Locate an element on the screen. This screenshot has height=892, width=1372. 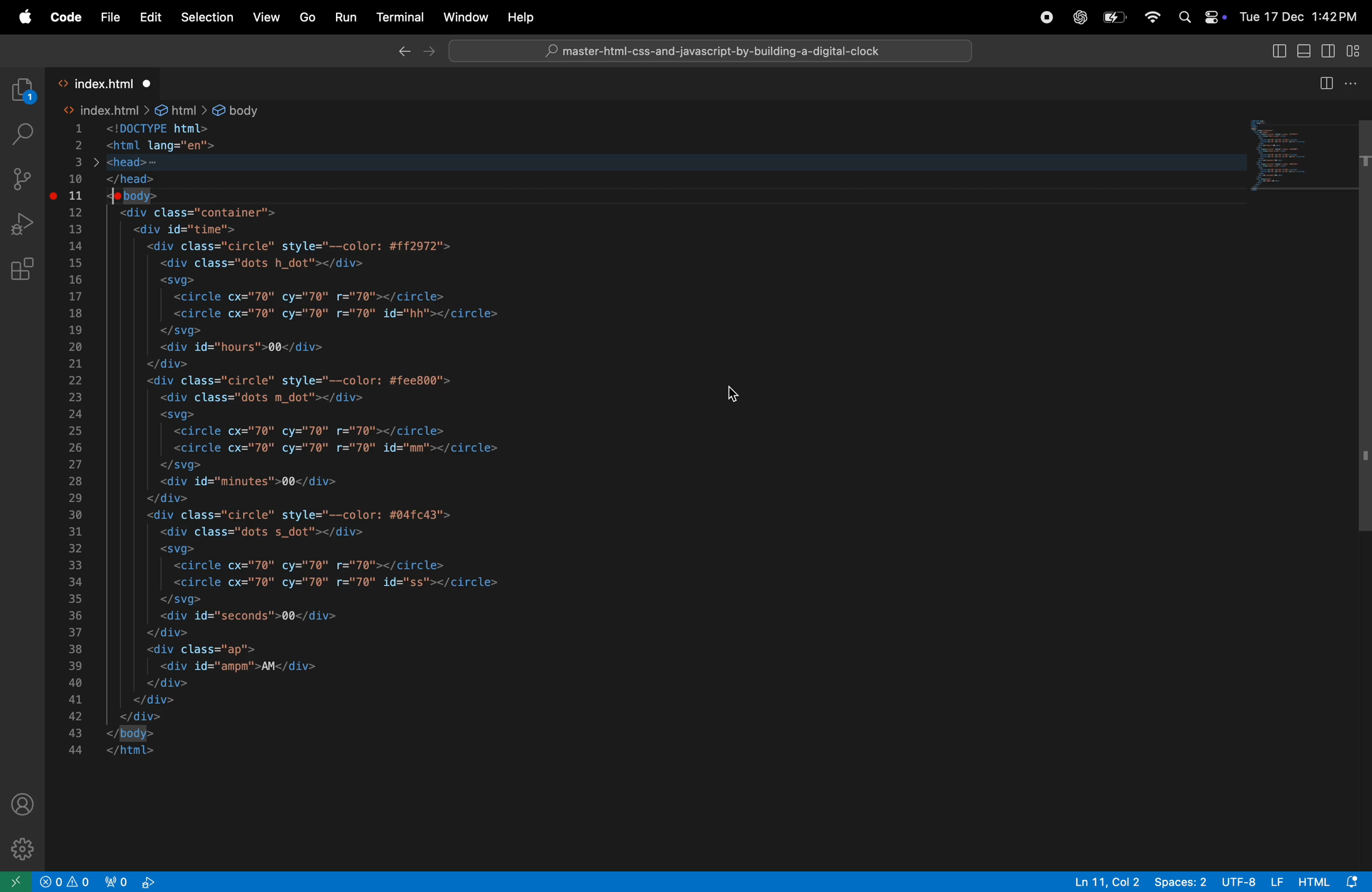
search is located at coordinates (22, 133).